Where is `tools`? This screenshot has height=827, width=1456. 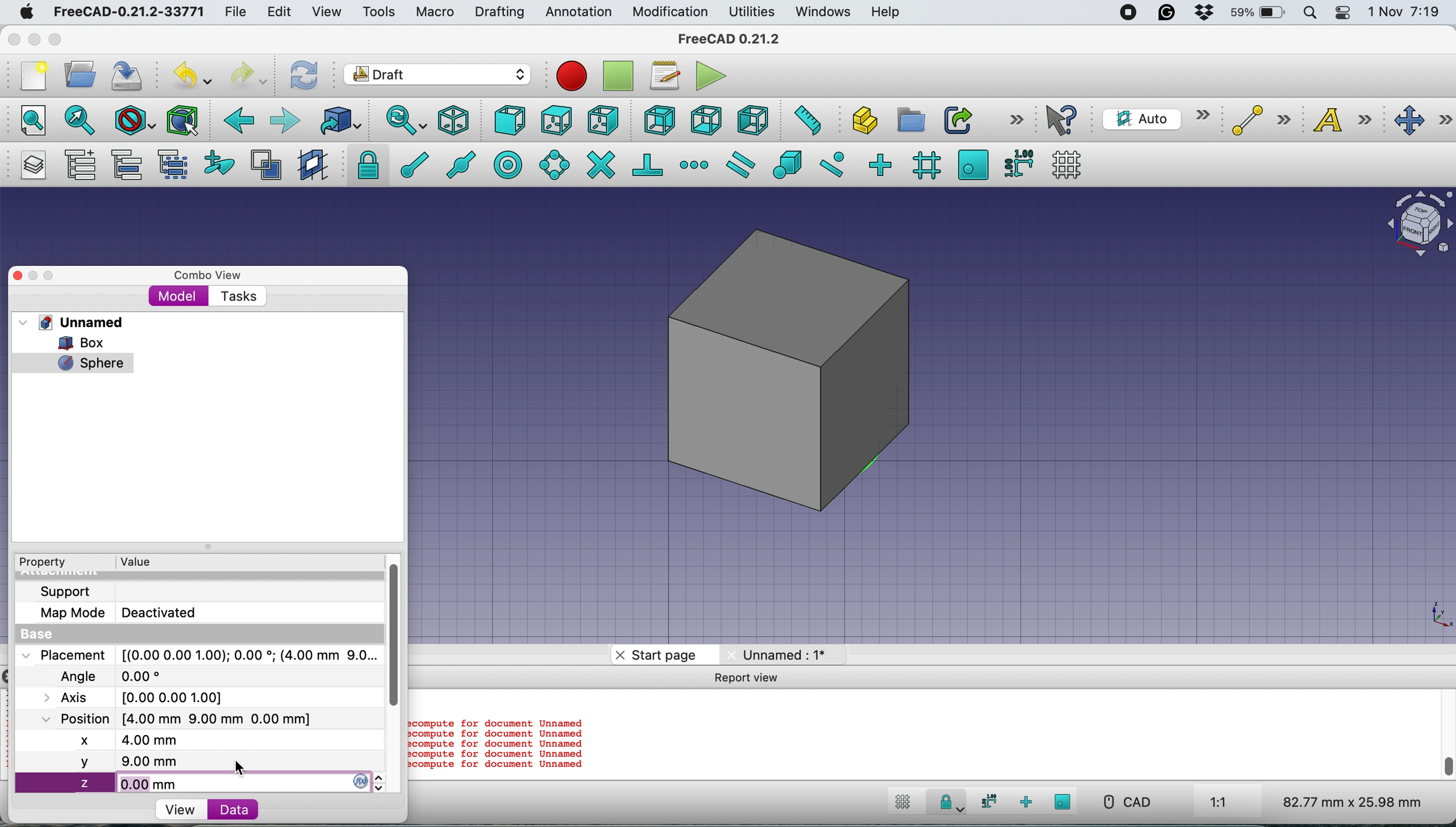 tools is located at coordinates (378, 13).